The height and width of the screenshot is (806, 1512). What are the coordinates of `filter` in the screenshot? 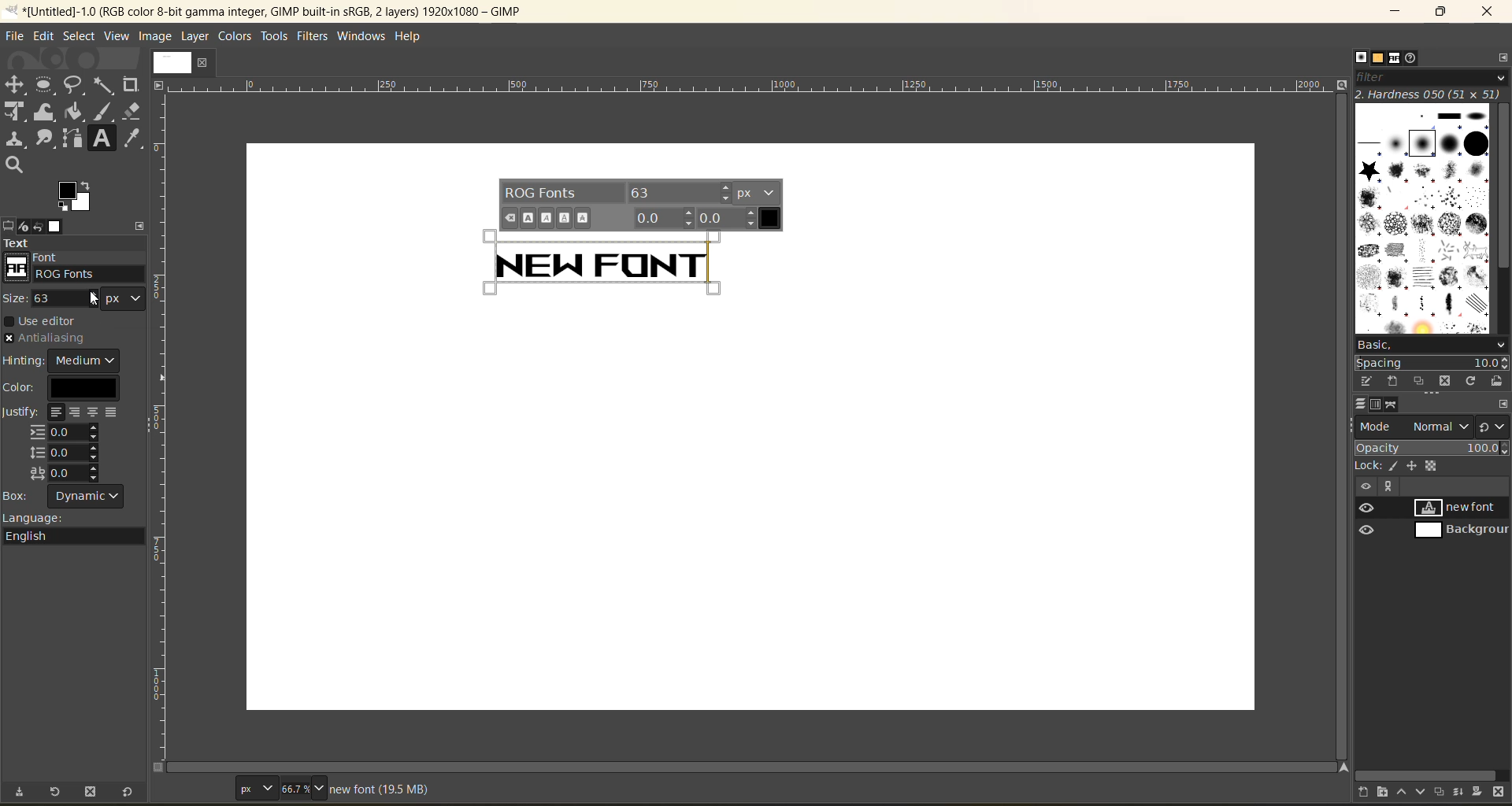 It's located at (1433, 76).